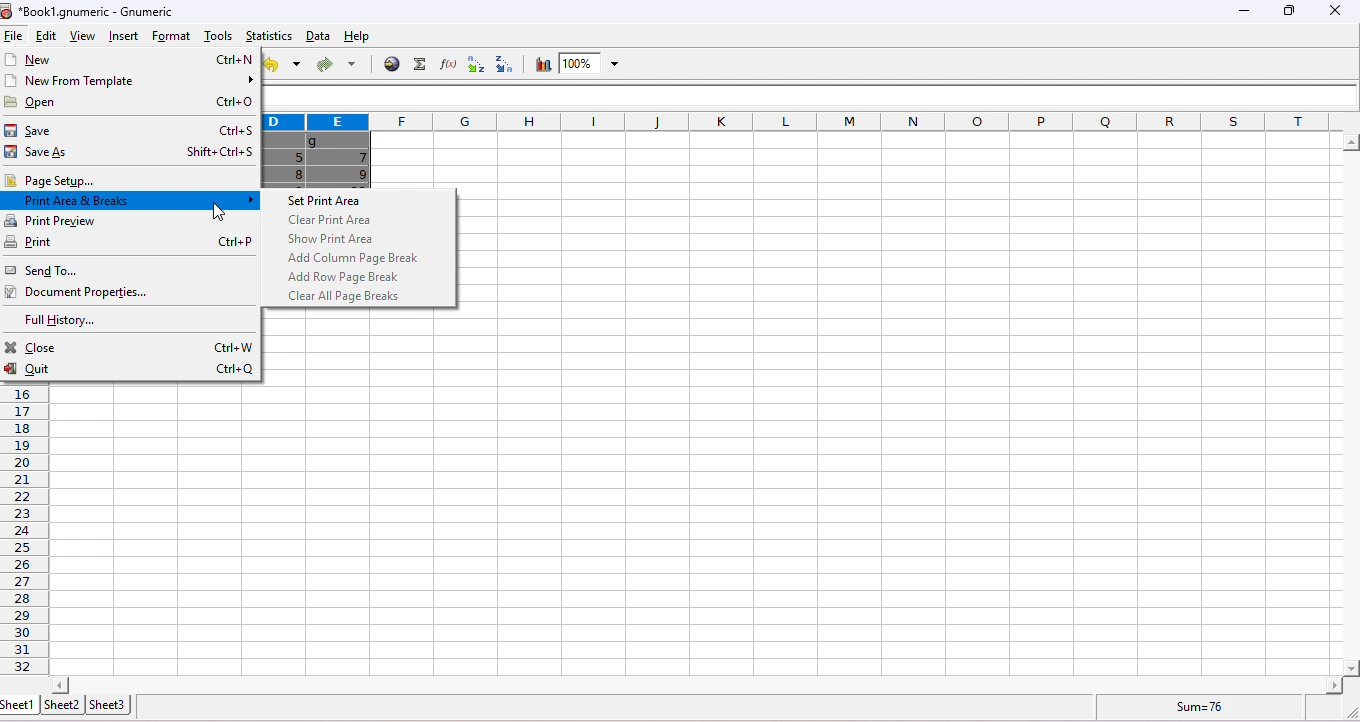 The width and height of the screenshot is (1360, 722). Describe the element at coordinates (1334, 11) in the screenshot. I see `close` at that location.